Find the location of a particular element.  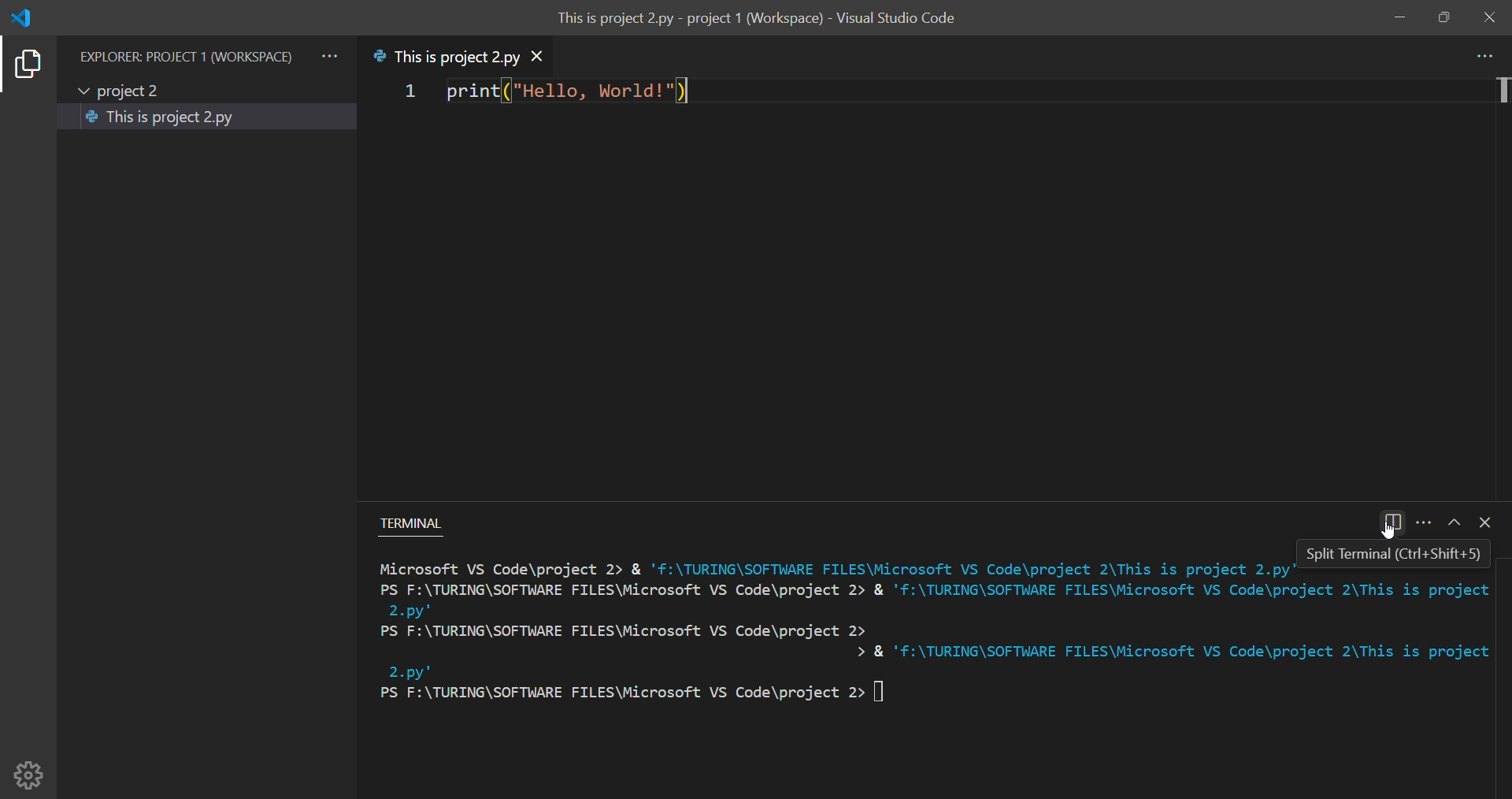

This is project 2.py is located at coordinates (167, 118).